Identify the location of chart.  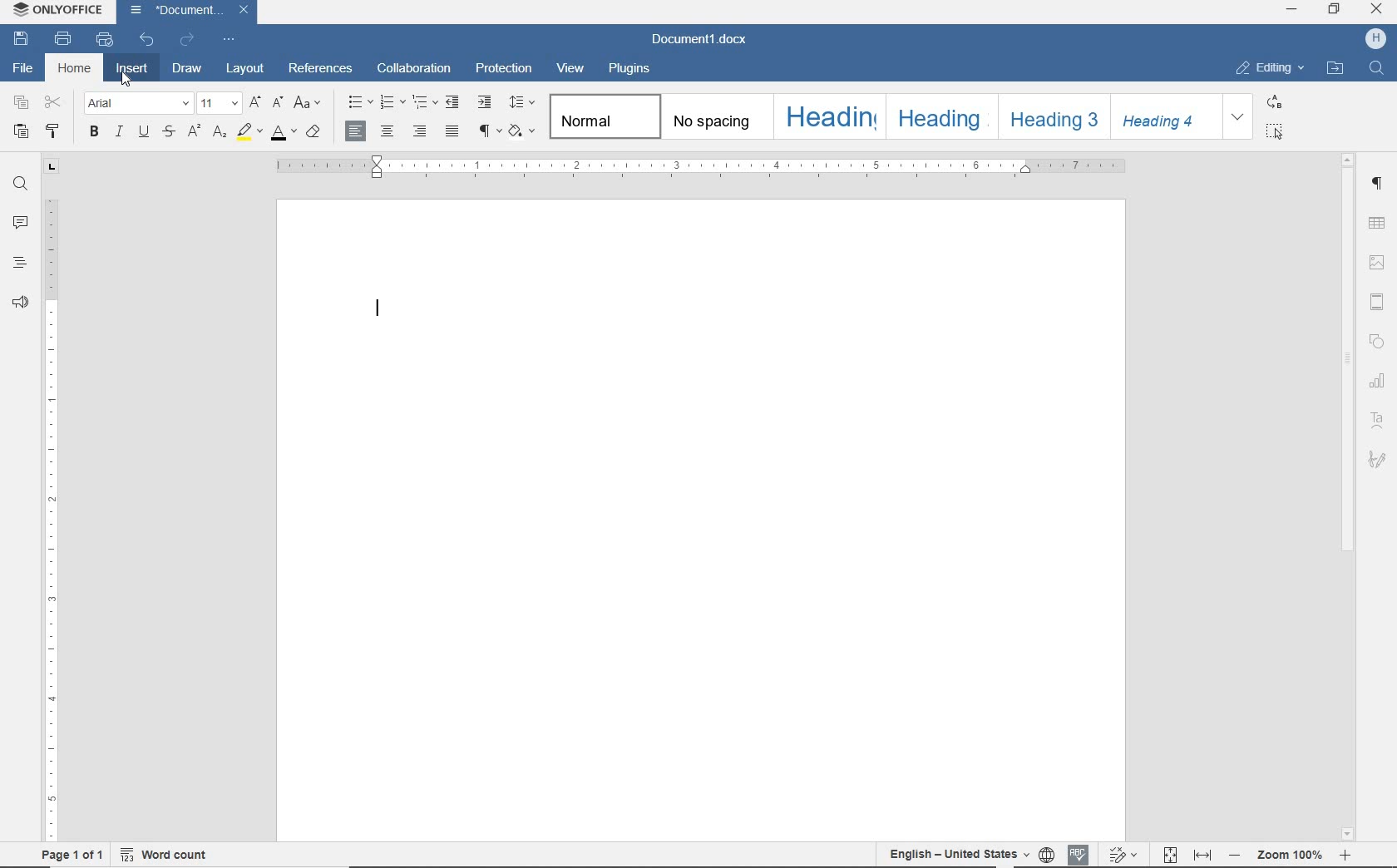
(1376, 381).